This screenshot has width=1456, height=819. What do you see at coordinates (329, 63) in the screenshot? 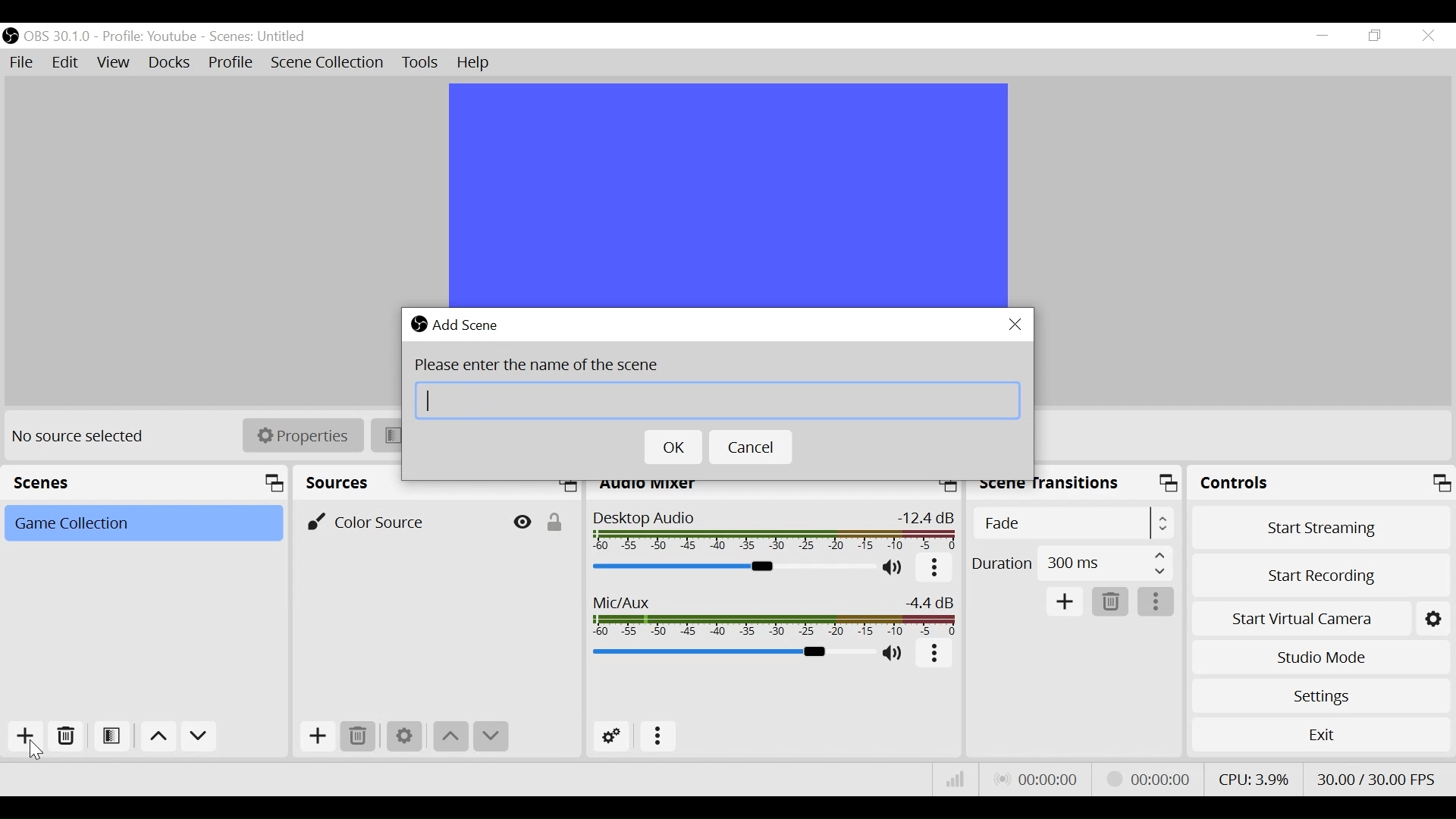
I see `Scene Collection` at bounding box center [329, 63].